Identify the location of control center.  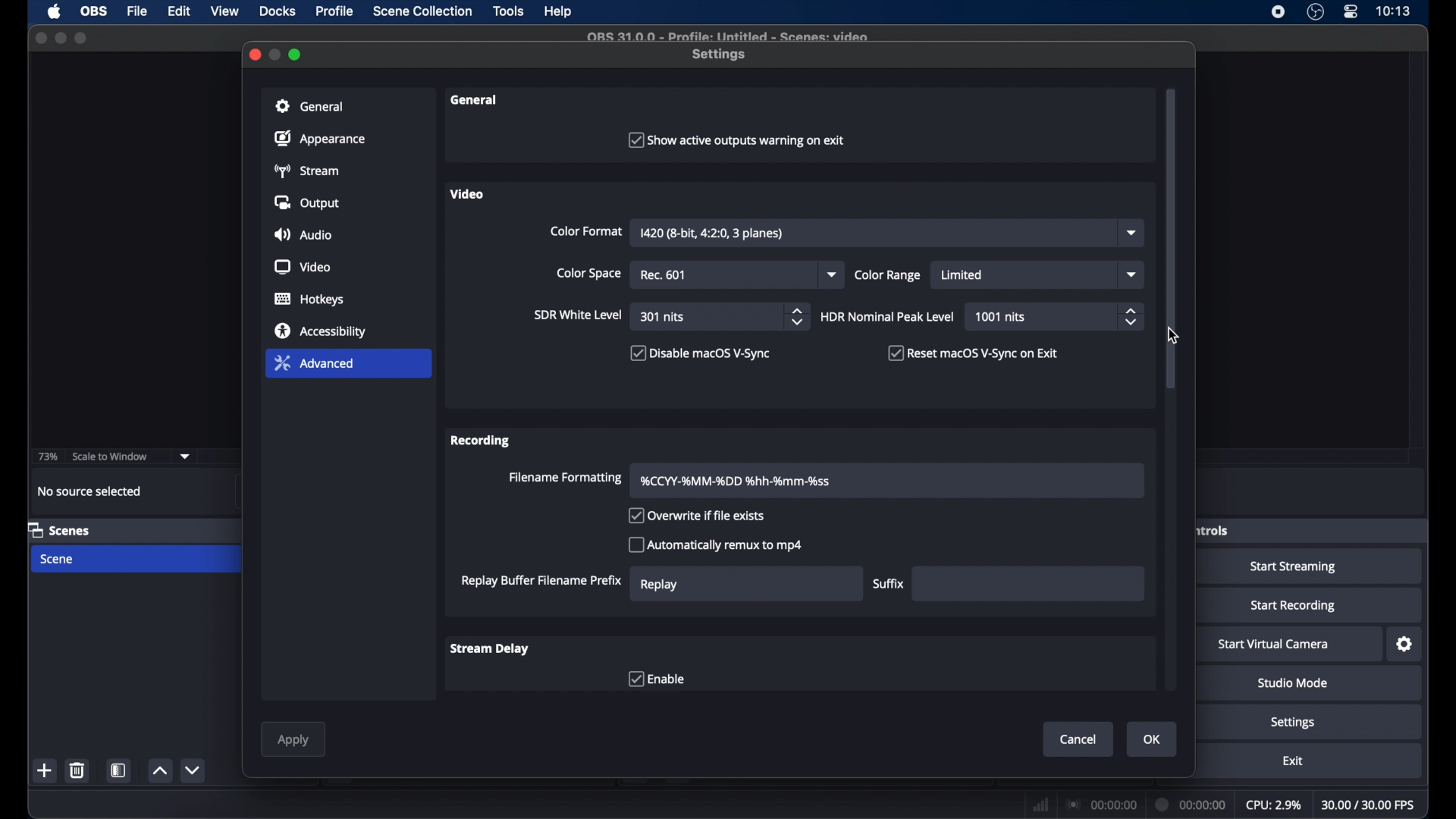
(1350, 12).